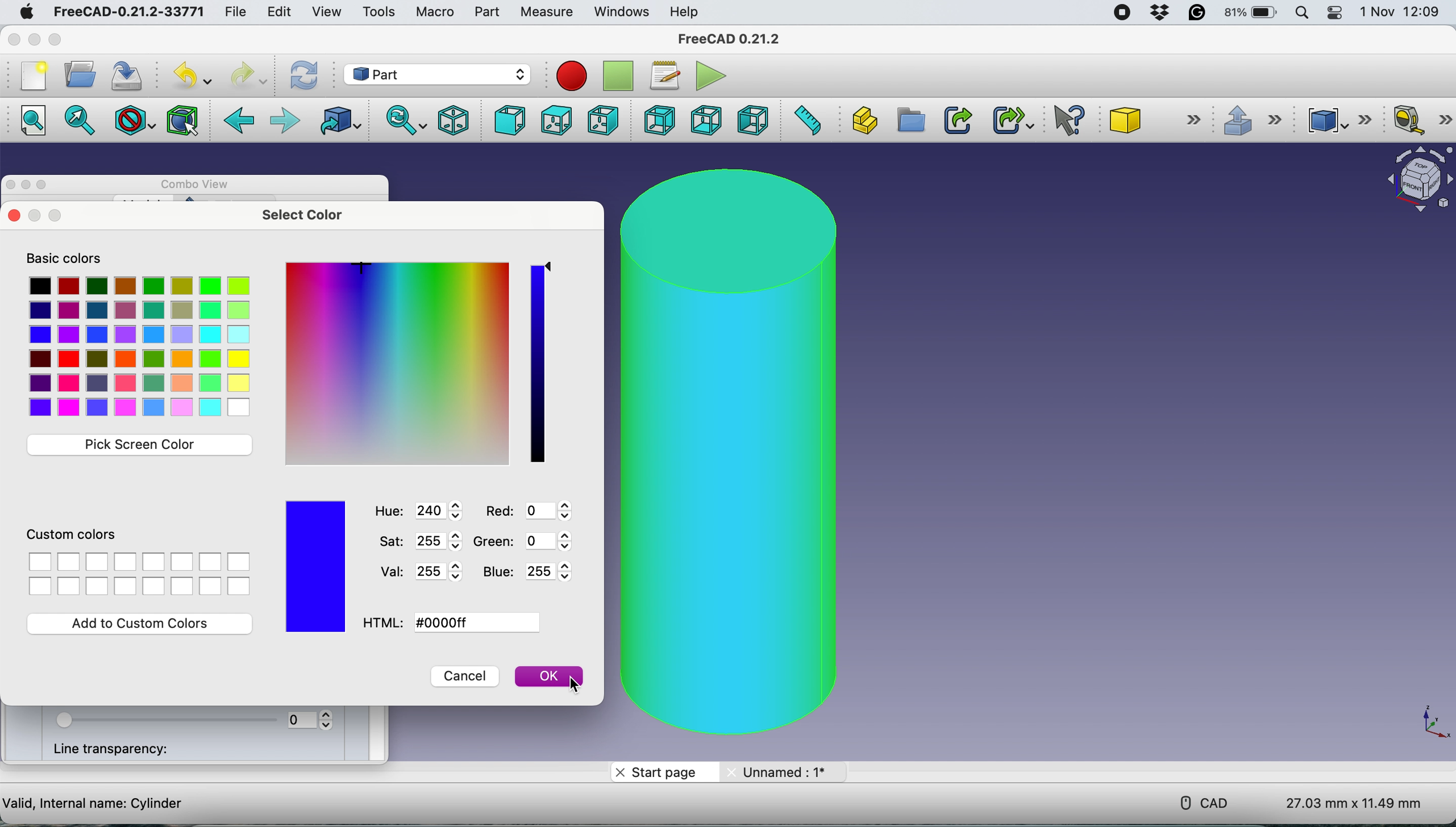 The image size is (1456, 827). What do you see at coordinates (687, 12) in the screenshot?
I see `help` at bounding box center [687, 12].